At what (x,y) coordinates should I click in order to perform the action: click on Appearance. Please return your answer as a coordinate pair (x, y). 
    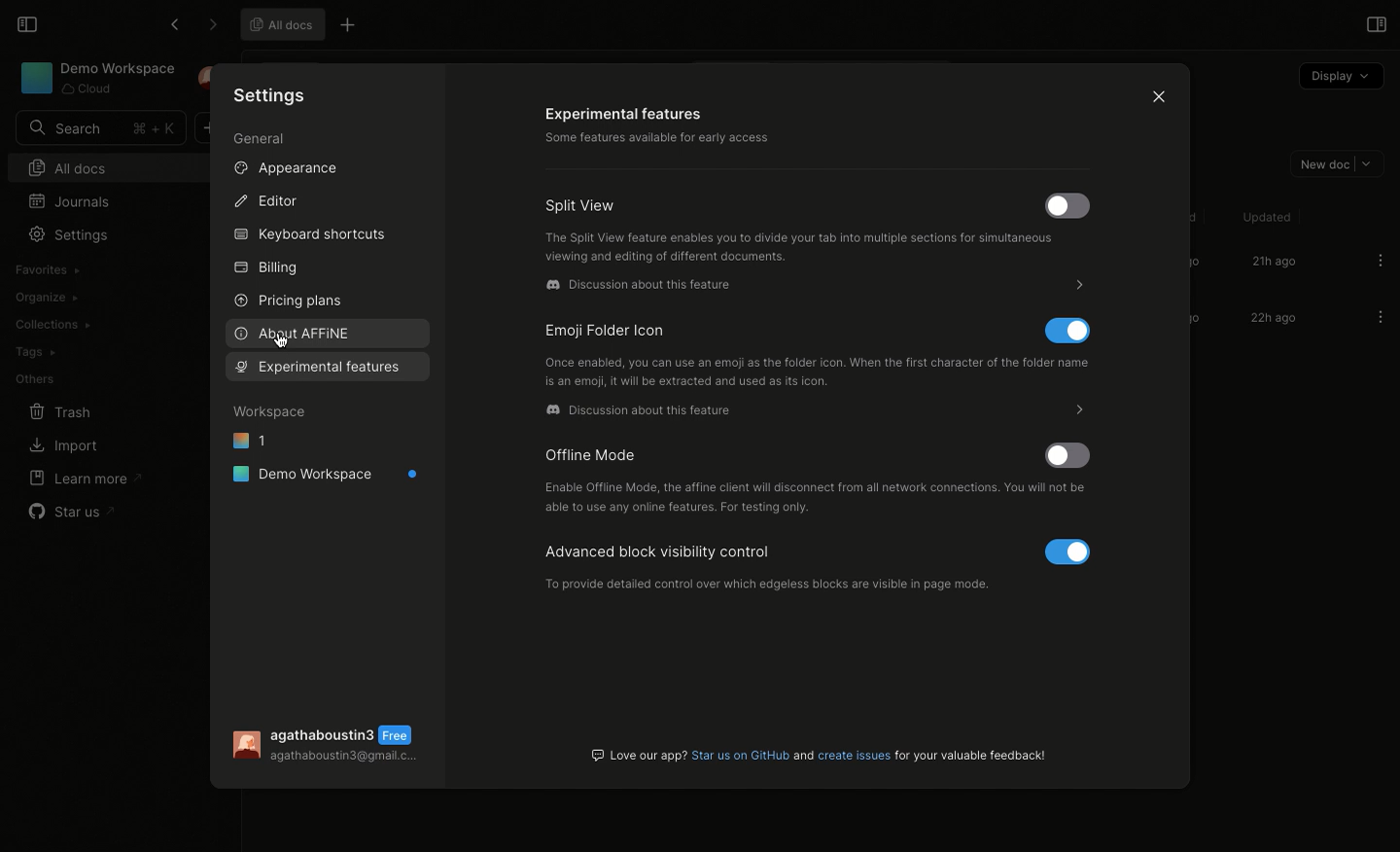
    Looking at the image, I should click on (283, 167).